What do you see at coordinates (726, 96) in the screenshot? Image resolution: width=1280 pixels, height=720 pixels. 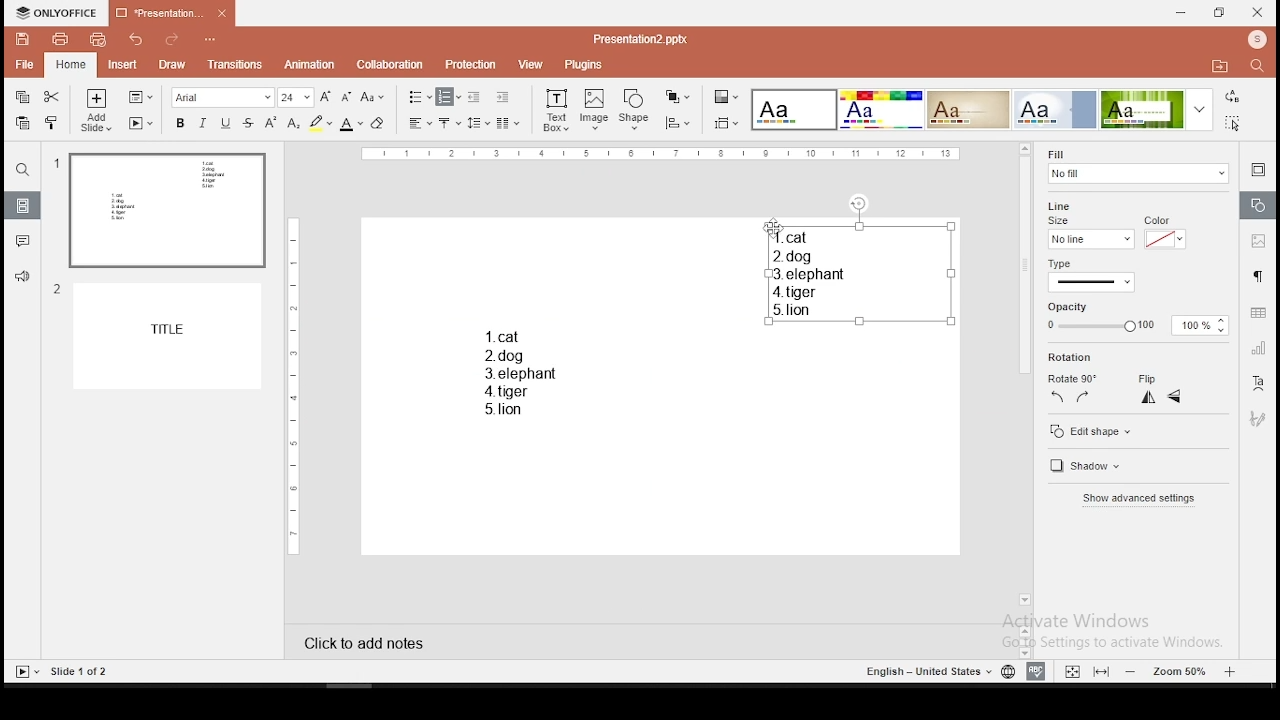 I see `change color theme` at bounding box center [726, 96].